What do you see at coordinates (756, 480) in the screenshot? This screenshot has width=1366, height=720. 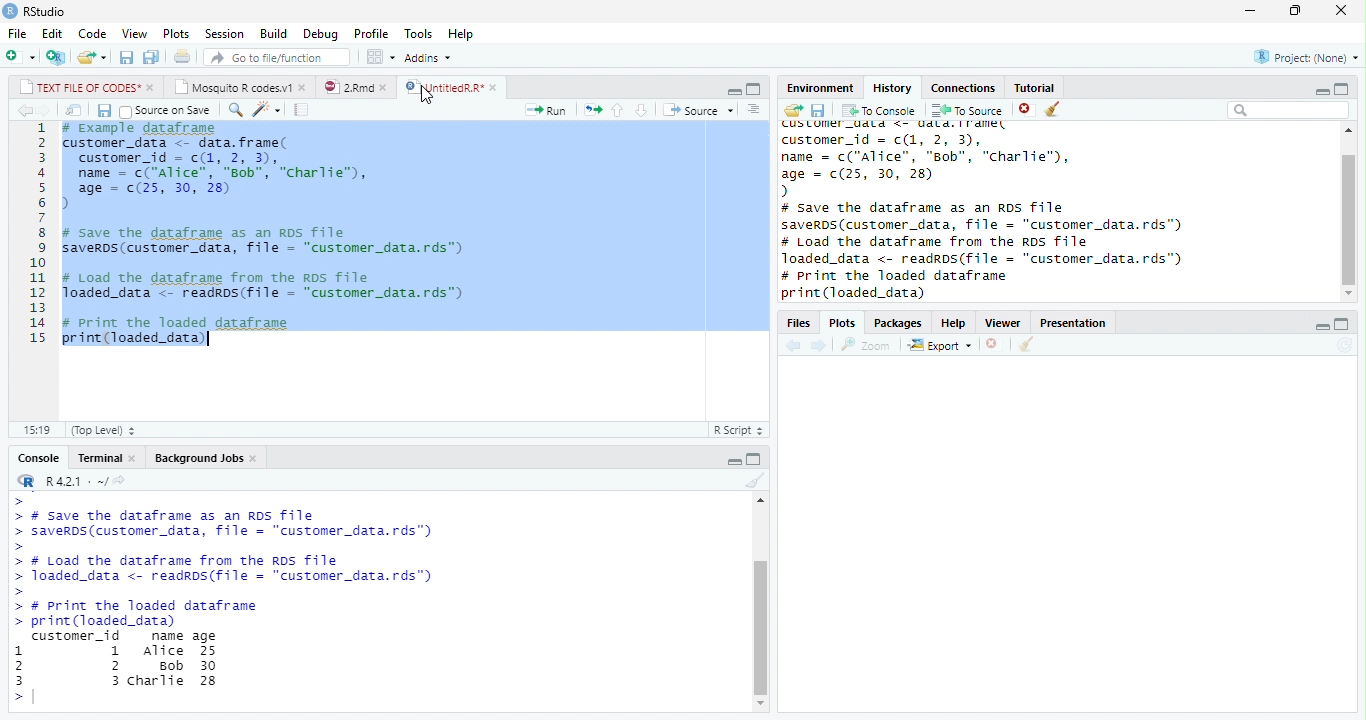 I see `clear` at bounding box center [756, 480].